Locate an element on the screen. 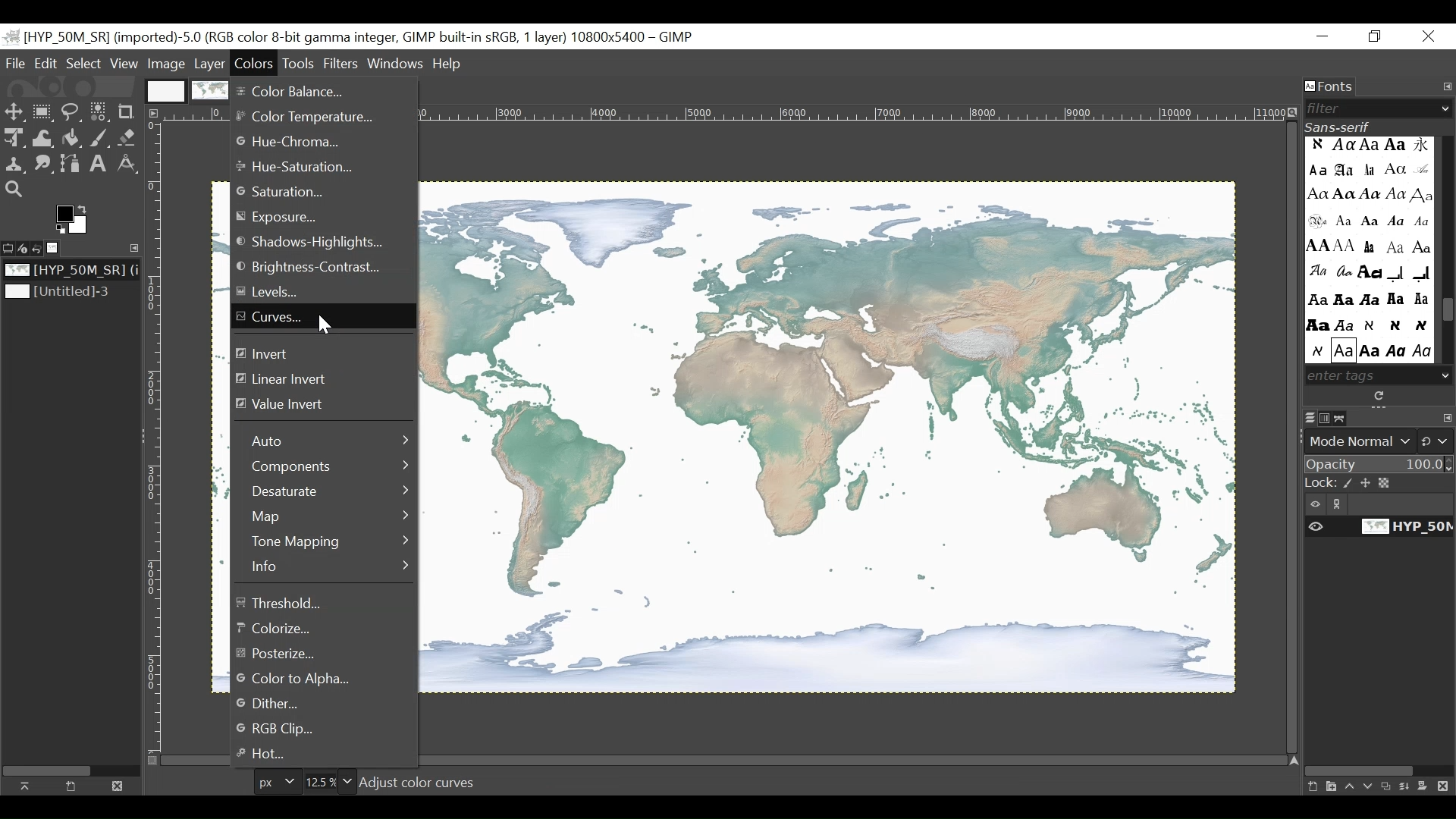  Brightness -Contrast is located at coordinates (316, 266).